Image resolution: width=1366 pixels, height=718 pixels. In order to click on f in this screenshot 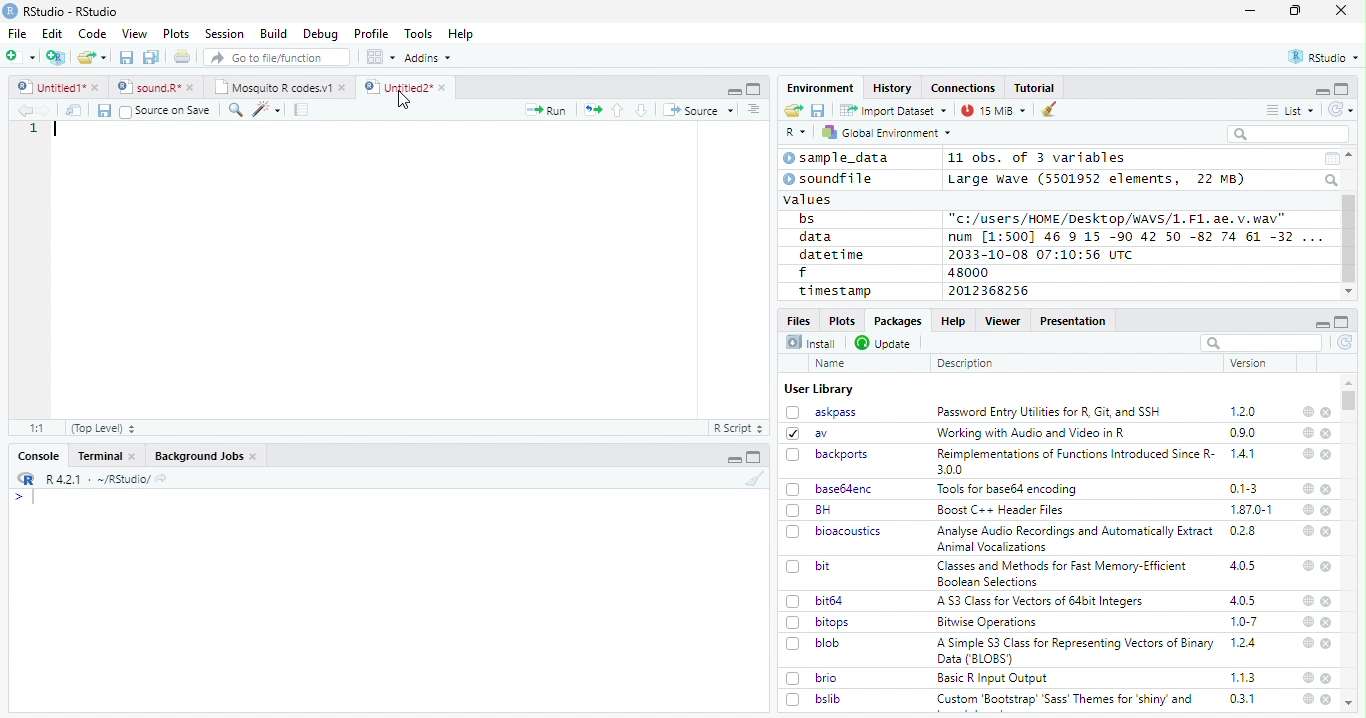, I will do `click(803, 273)`.